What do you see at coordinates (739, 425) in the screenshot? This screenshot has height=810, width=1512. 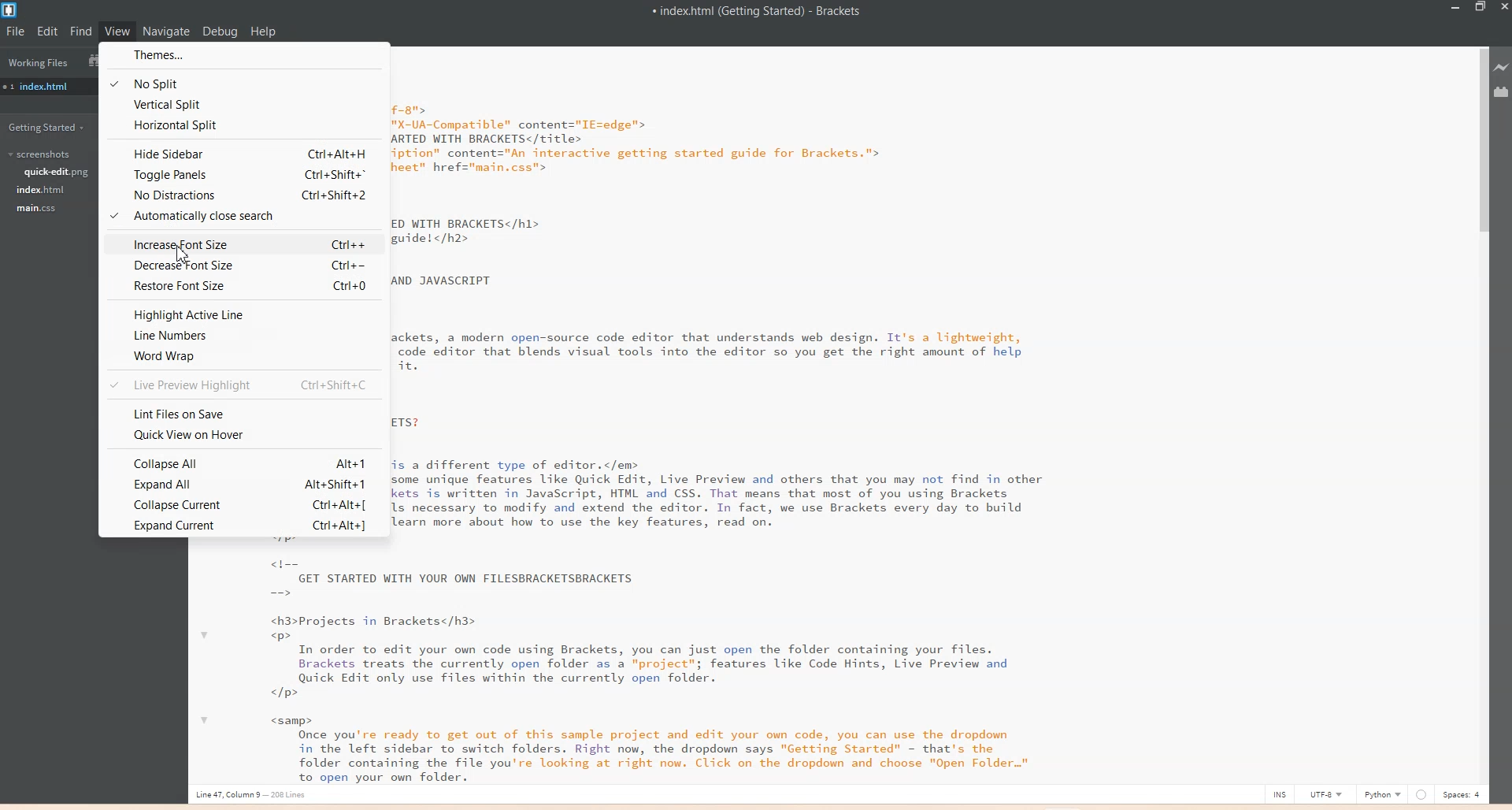 I see `Text 2` at bounding box center [739, 425].